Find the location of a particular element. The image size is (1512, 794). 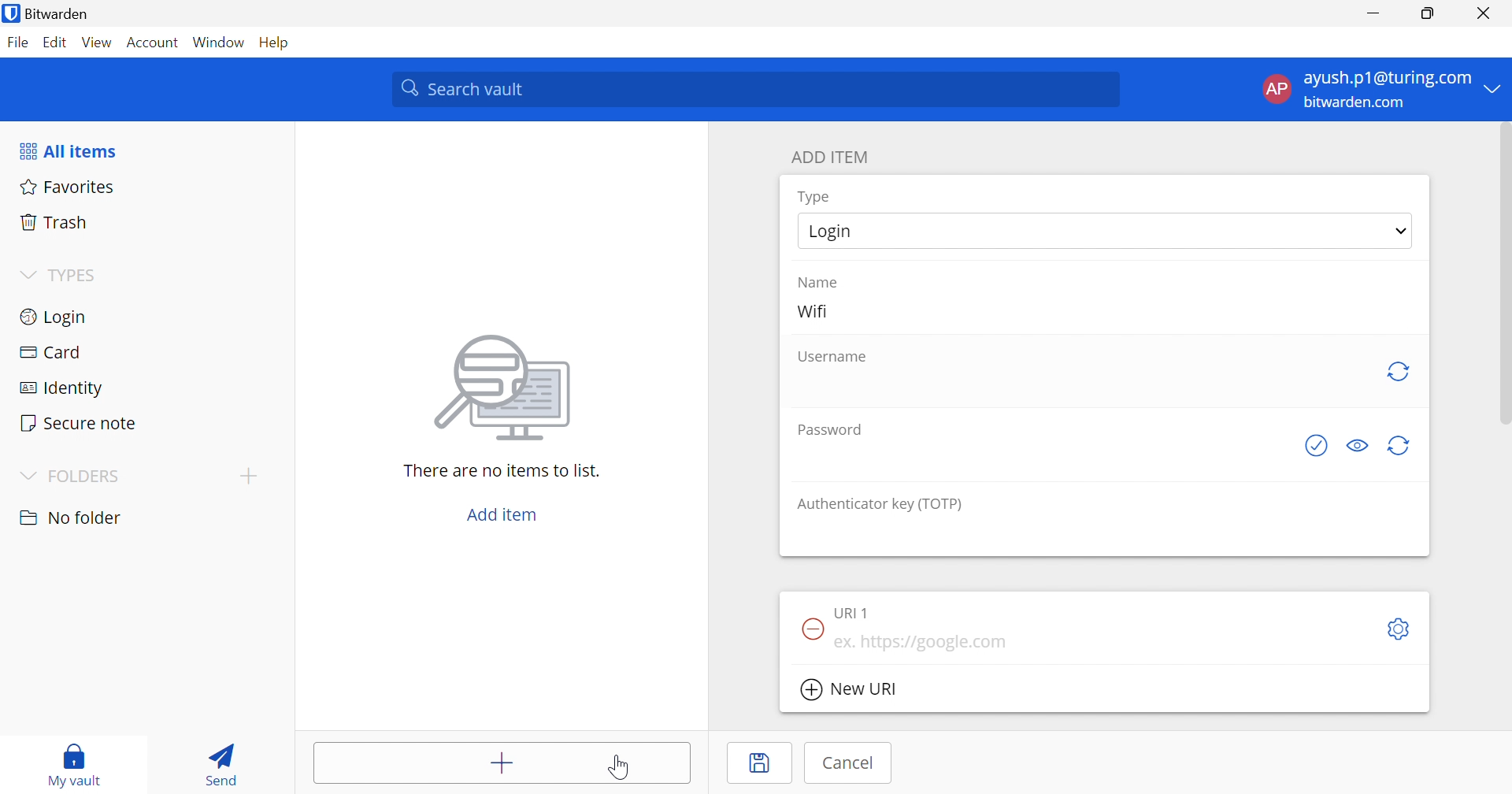

My vault is located at coordinates (75, 757).